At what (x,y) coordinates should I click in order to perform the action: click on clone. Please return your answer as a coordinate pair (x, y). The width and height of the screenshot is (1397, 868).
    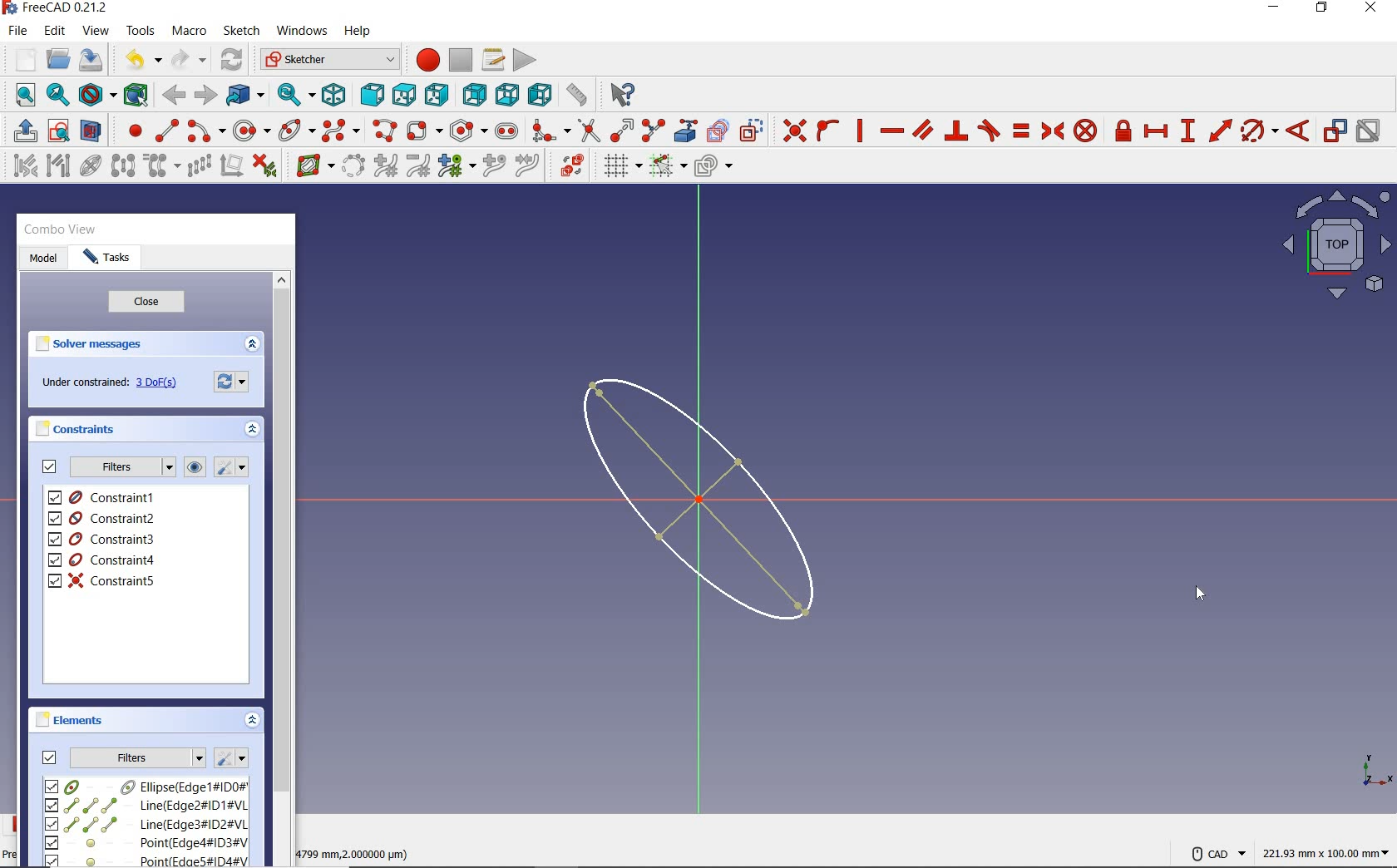
    Looking at the image, I should click on (160, 166).